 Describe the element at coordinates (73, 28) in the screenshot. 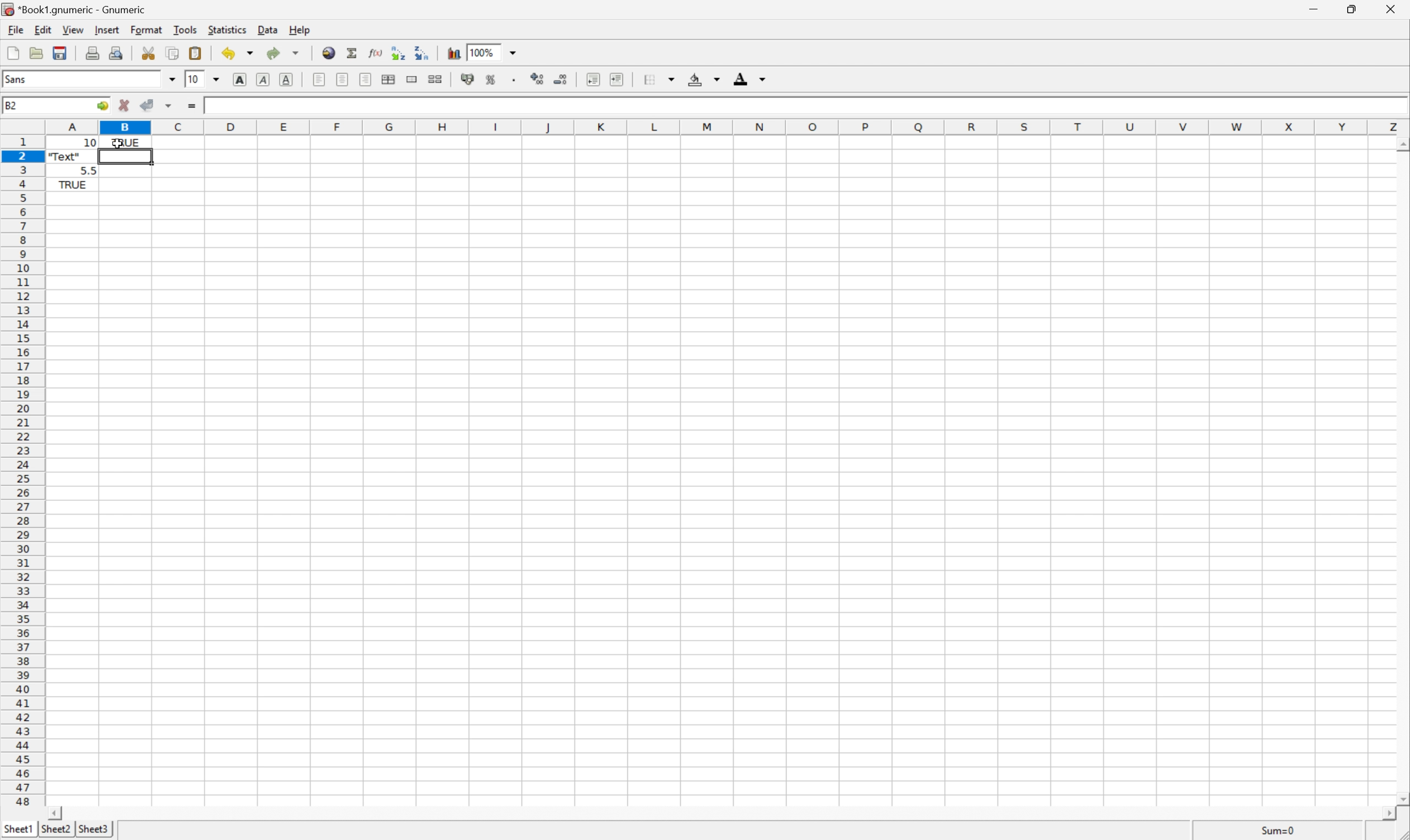

I see `View` at that location.